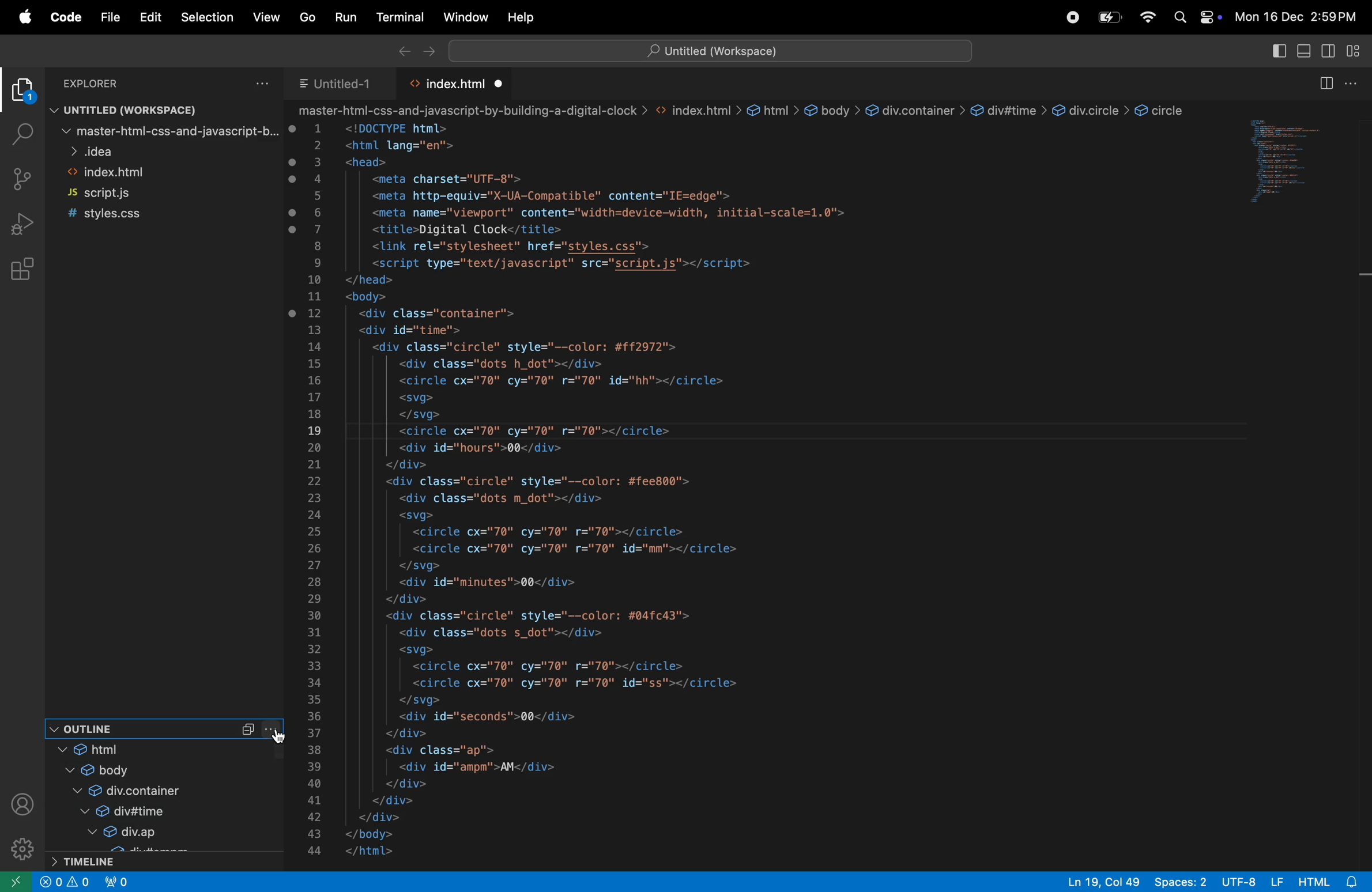  What do you see at coordinates (1209, 19) in the screenshot?
I see `apple widgets` at bounding box center [1209, 19].